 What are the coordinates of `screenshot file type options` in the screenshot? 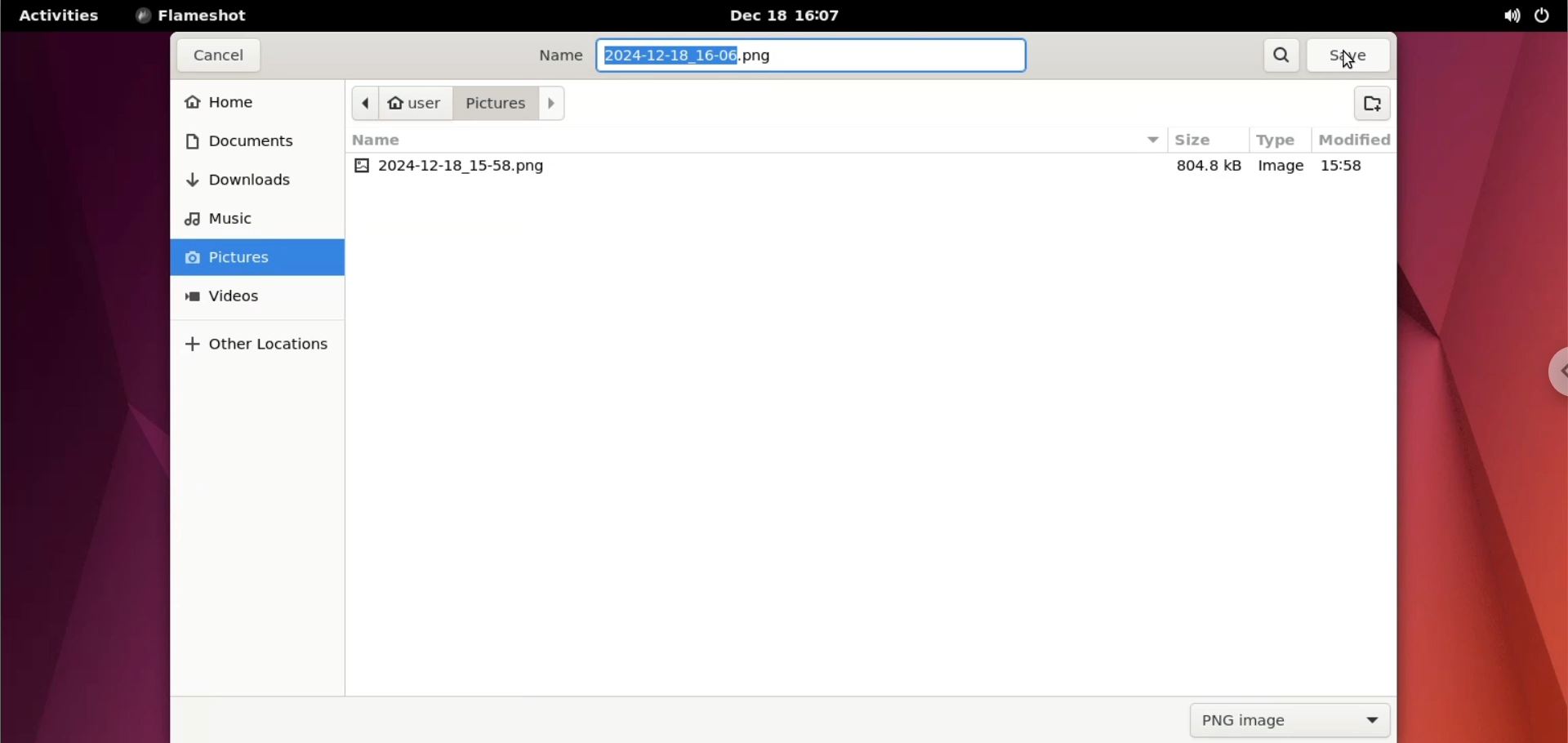 It's located at (1291, 723).